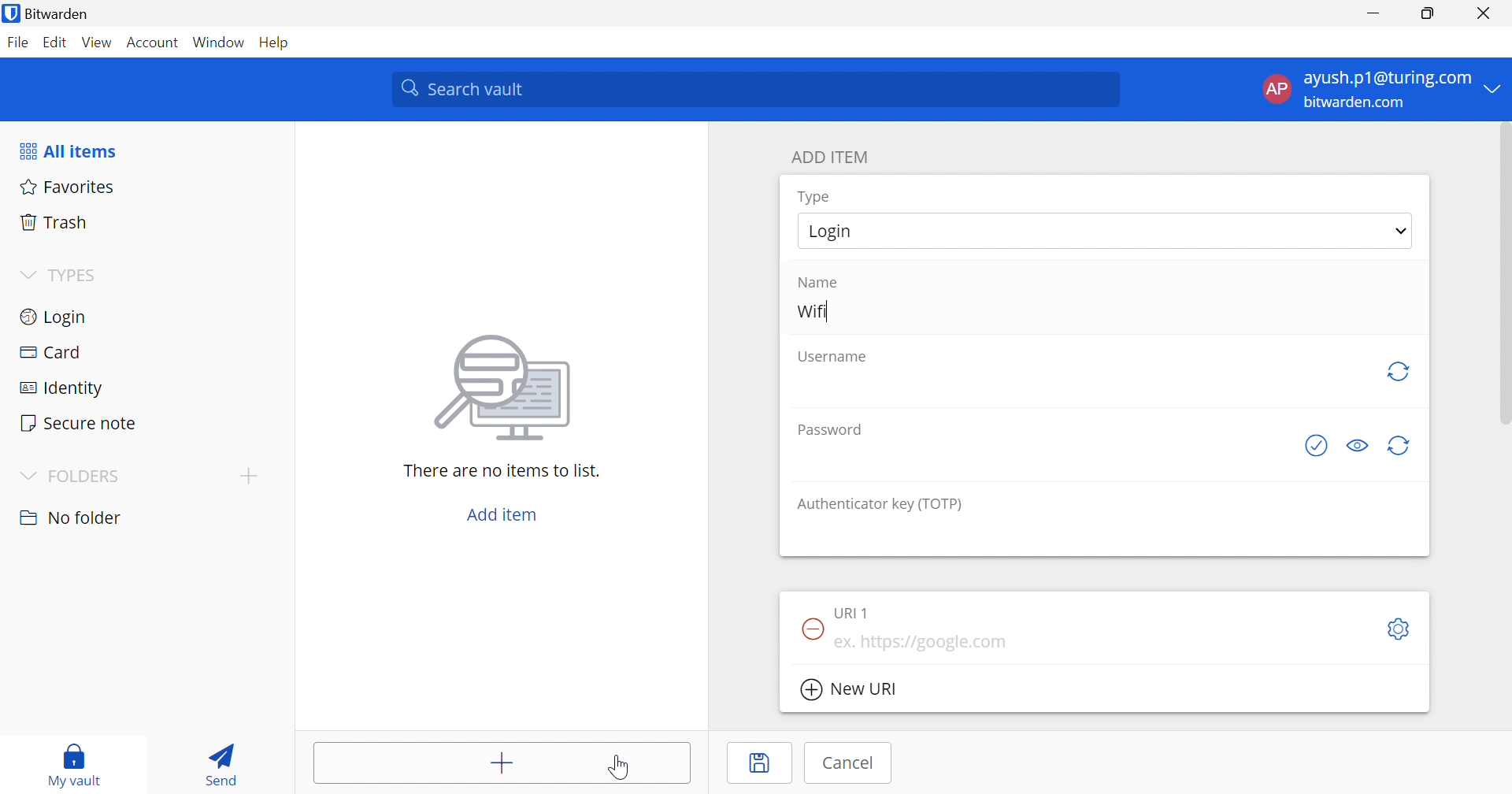 Image resolution: width=1512 pixels, height=794 pixels. I want to click on Card, so click(50, 352).